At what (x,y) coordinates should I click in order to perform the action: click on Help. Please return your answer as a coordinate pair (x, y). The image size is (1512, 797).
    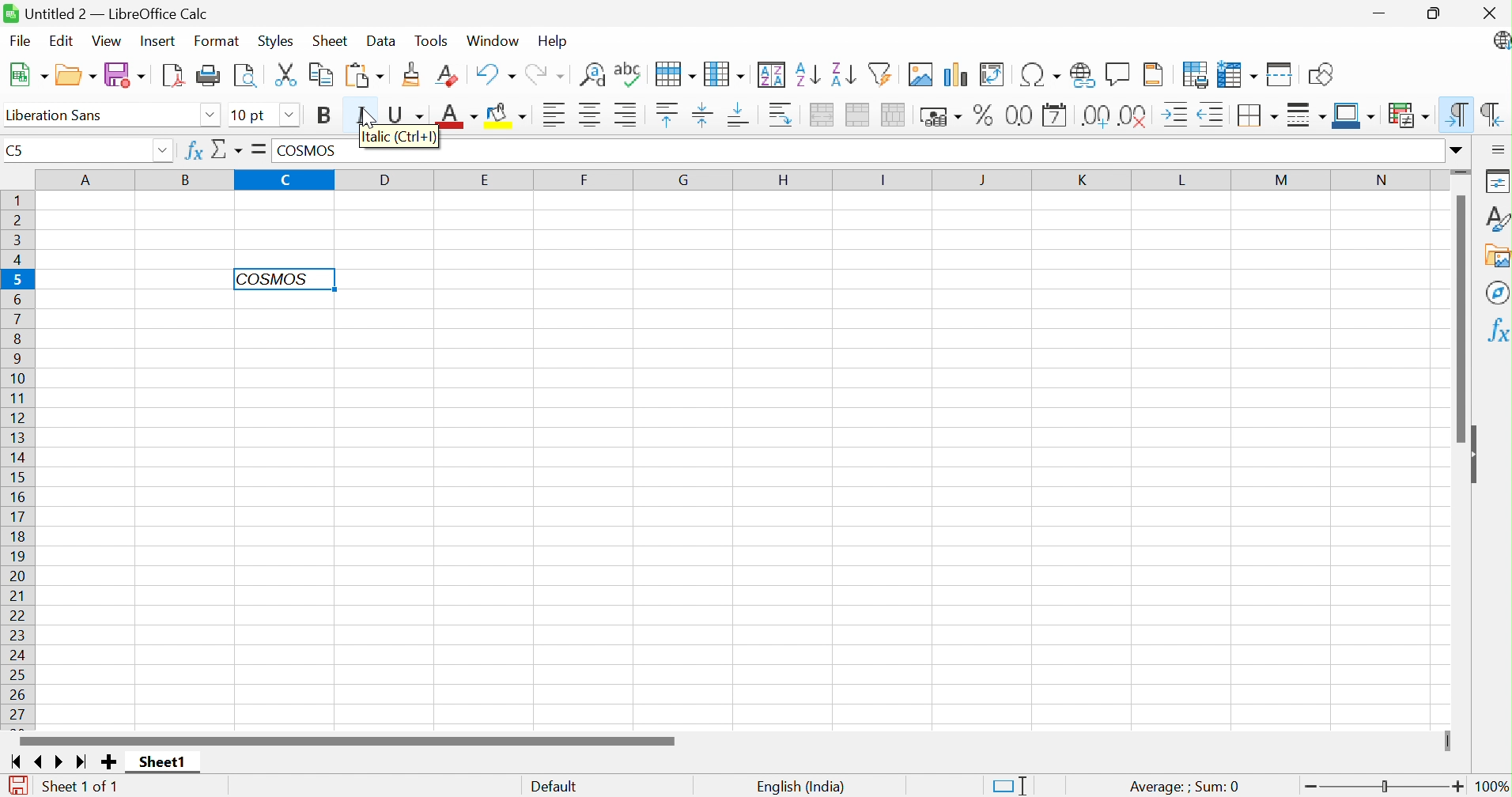
    Looking at the image, I should click on (553, 42).